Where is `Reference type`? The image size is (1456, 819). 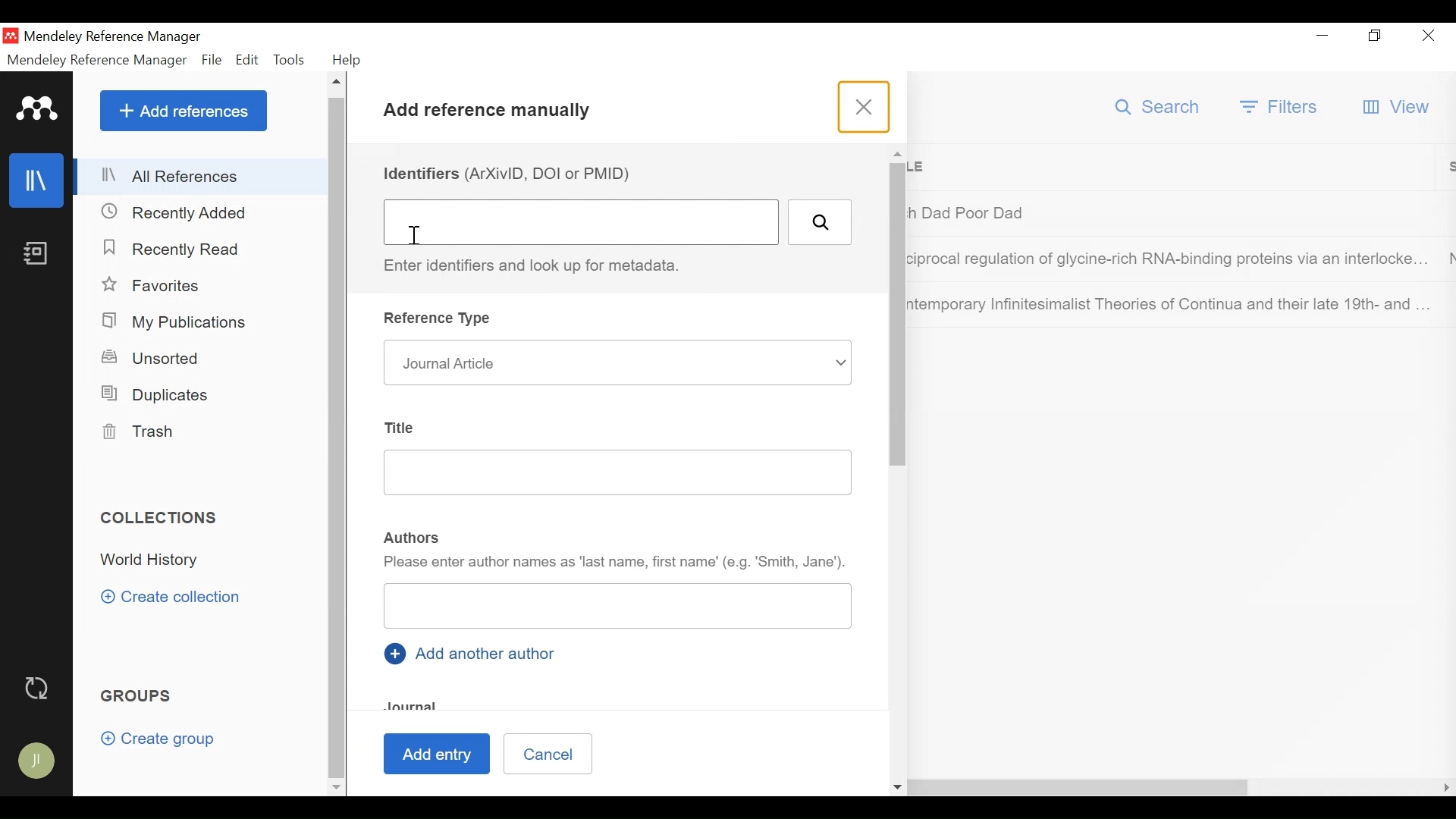 Reference type is located at coordinates (441, 320).